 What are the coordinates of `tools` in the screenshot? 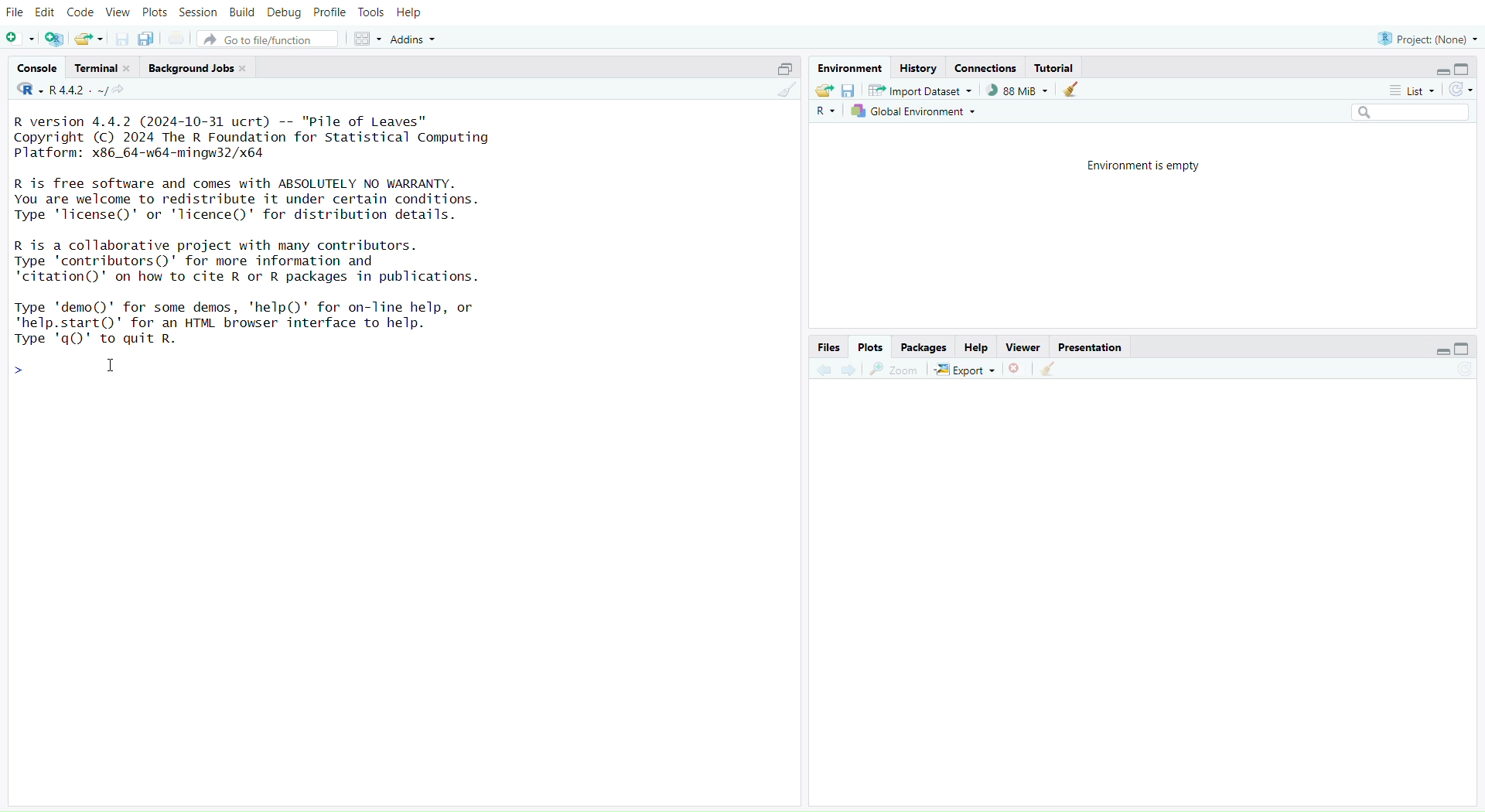 It's located at (372, 12).